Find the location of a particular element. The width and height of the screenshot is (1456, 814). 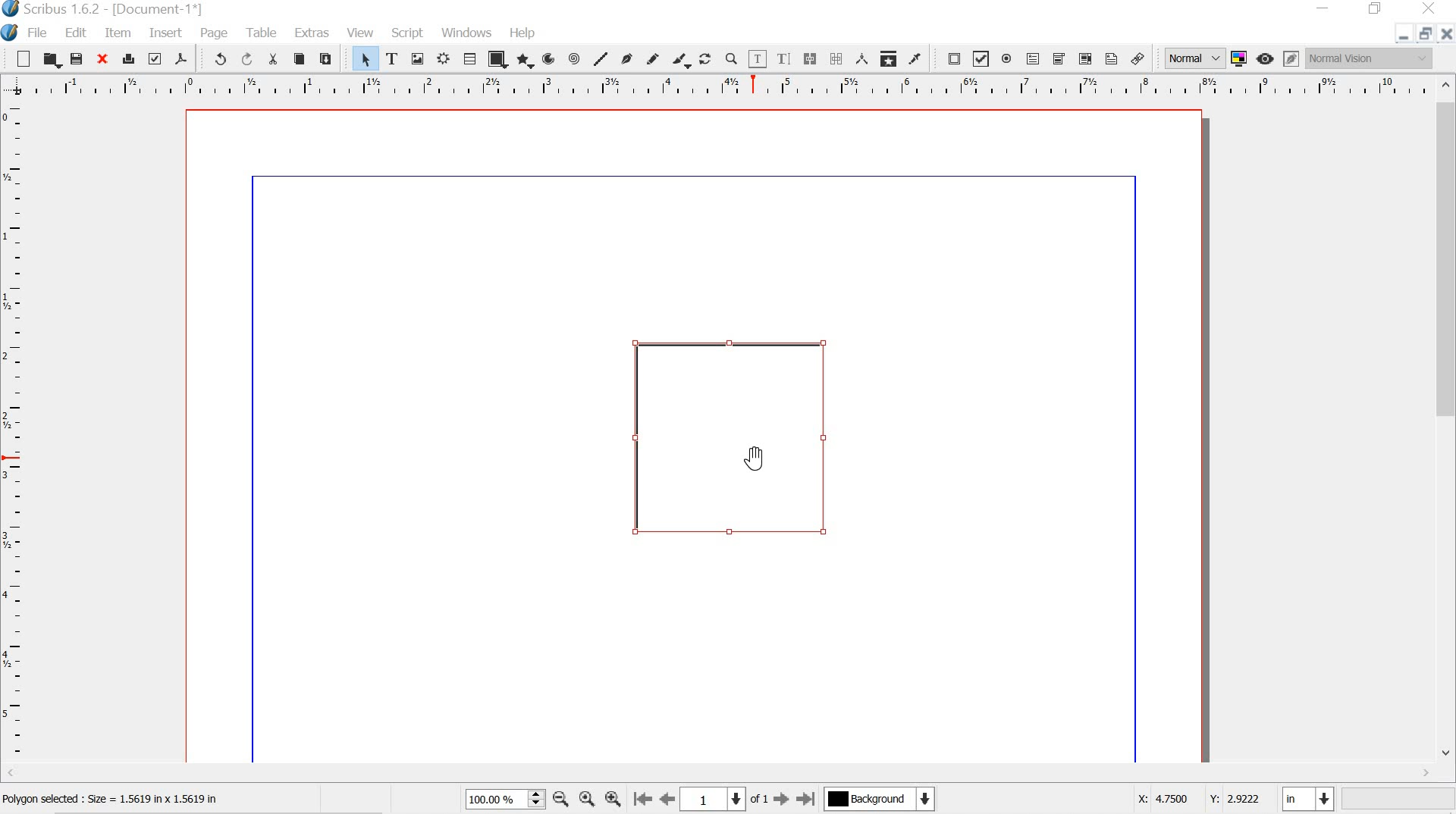

cursor is located at coordinates (753, 463).